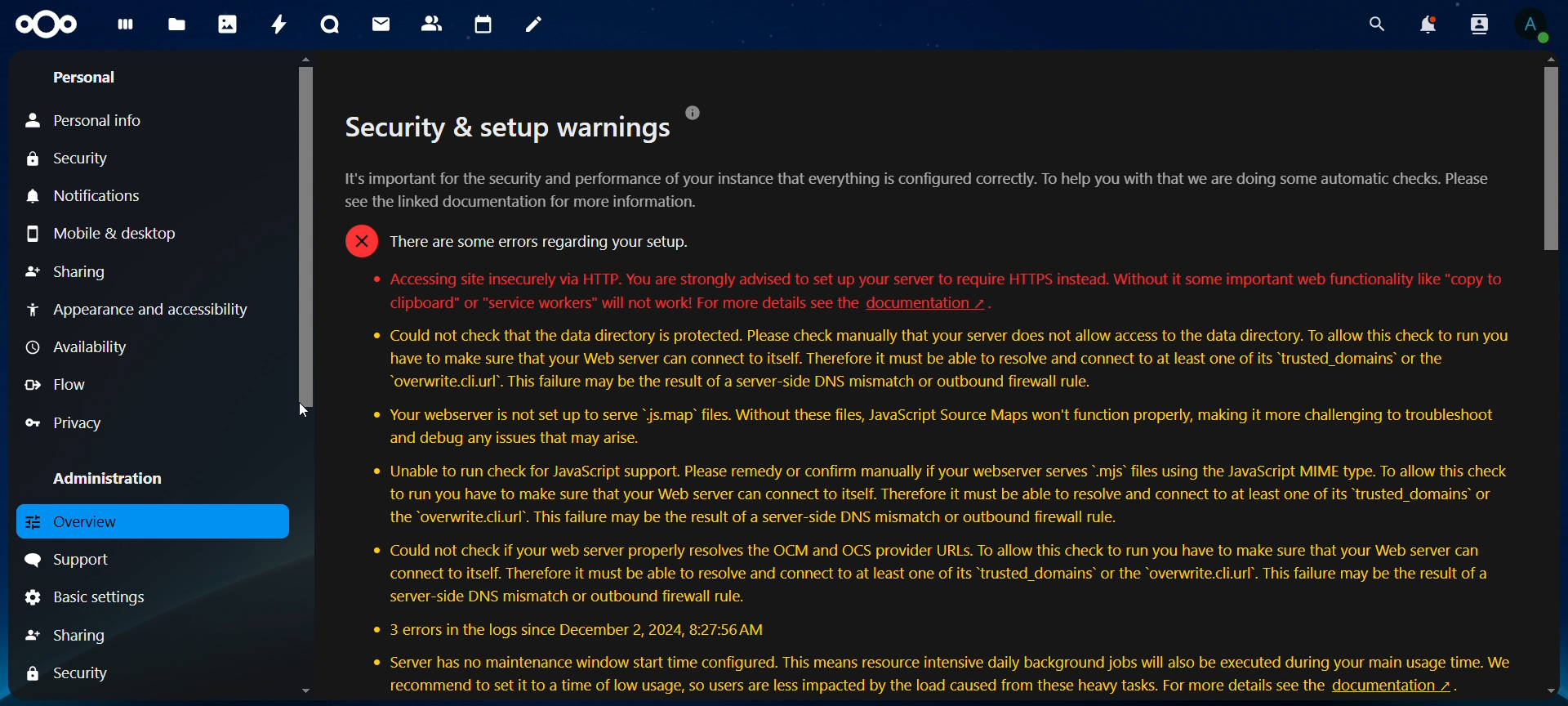 The image size is (1568, 706). What do you see at coordinates (106, 233) in the screenshot?
I see `mobile & desktop` at bounding box center [106, 233].